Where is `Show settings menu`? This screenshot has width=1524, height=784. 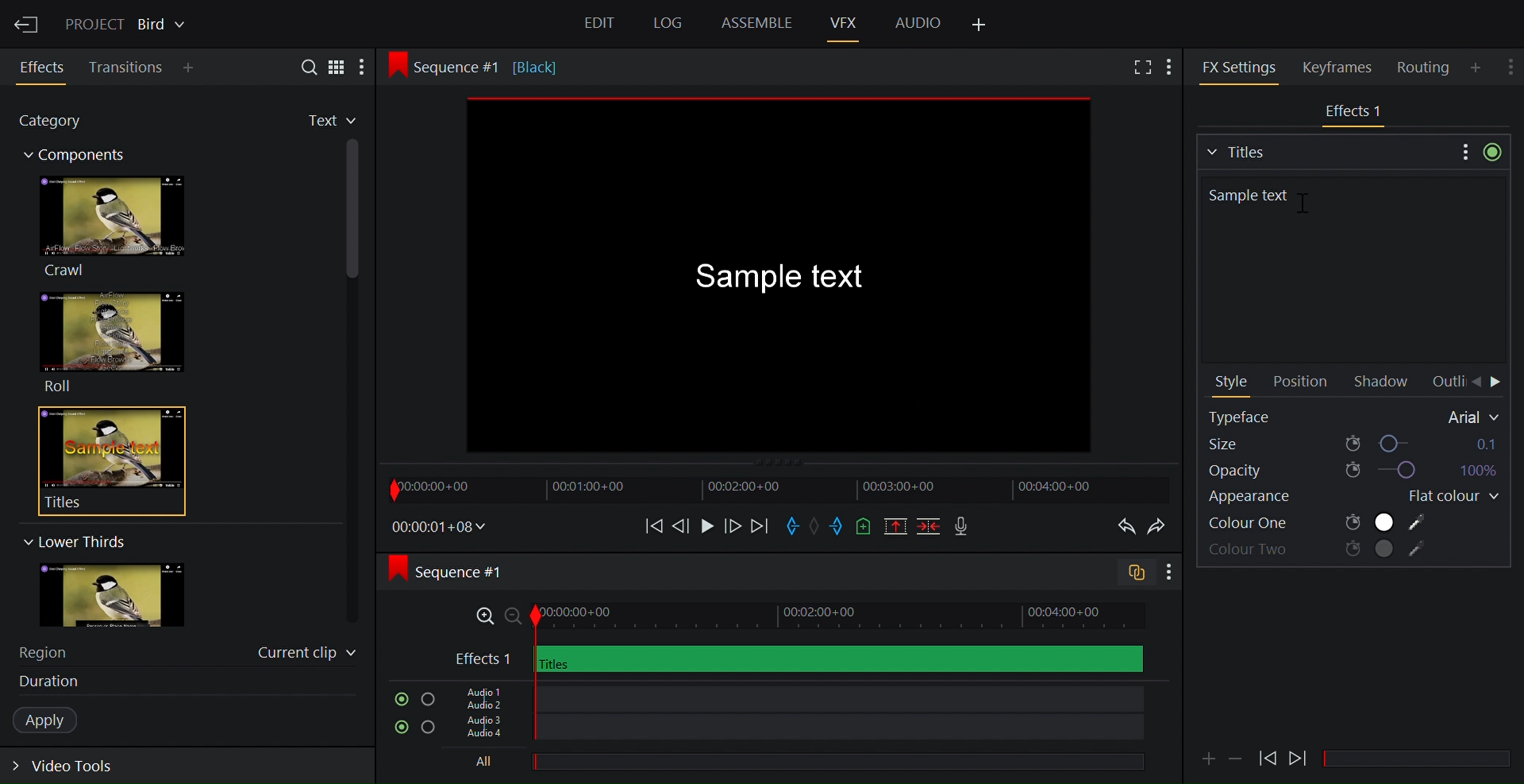
Show settings menu is located at coordinates (1463, 151).